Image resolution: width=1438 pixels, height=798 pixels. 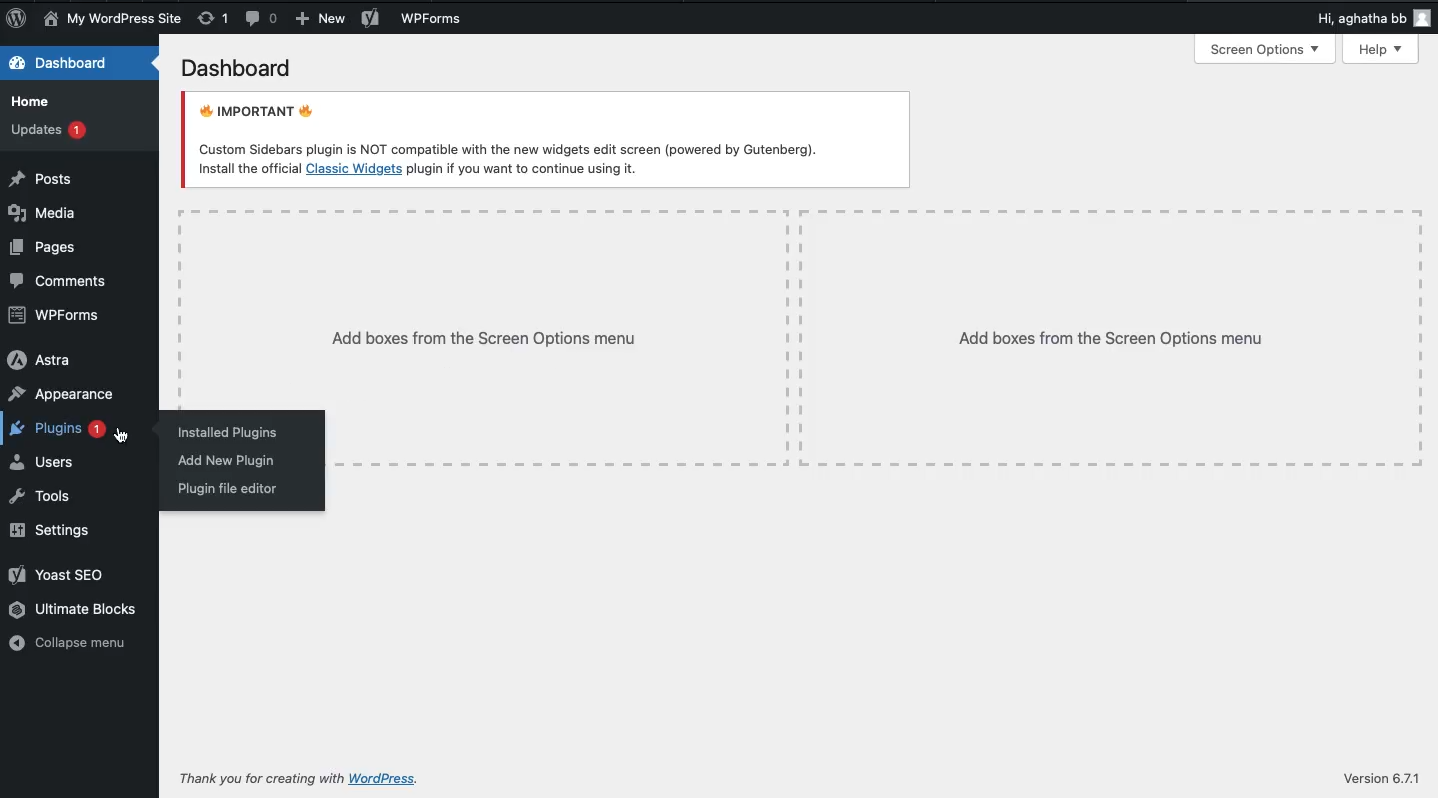 I want to click on wordpress, so click(x=402, y=774).